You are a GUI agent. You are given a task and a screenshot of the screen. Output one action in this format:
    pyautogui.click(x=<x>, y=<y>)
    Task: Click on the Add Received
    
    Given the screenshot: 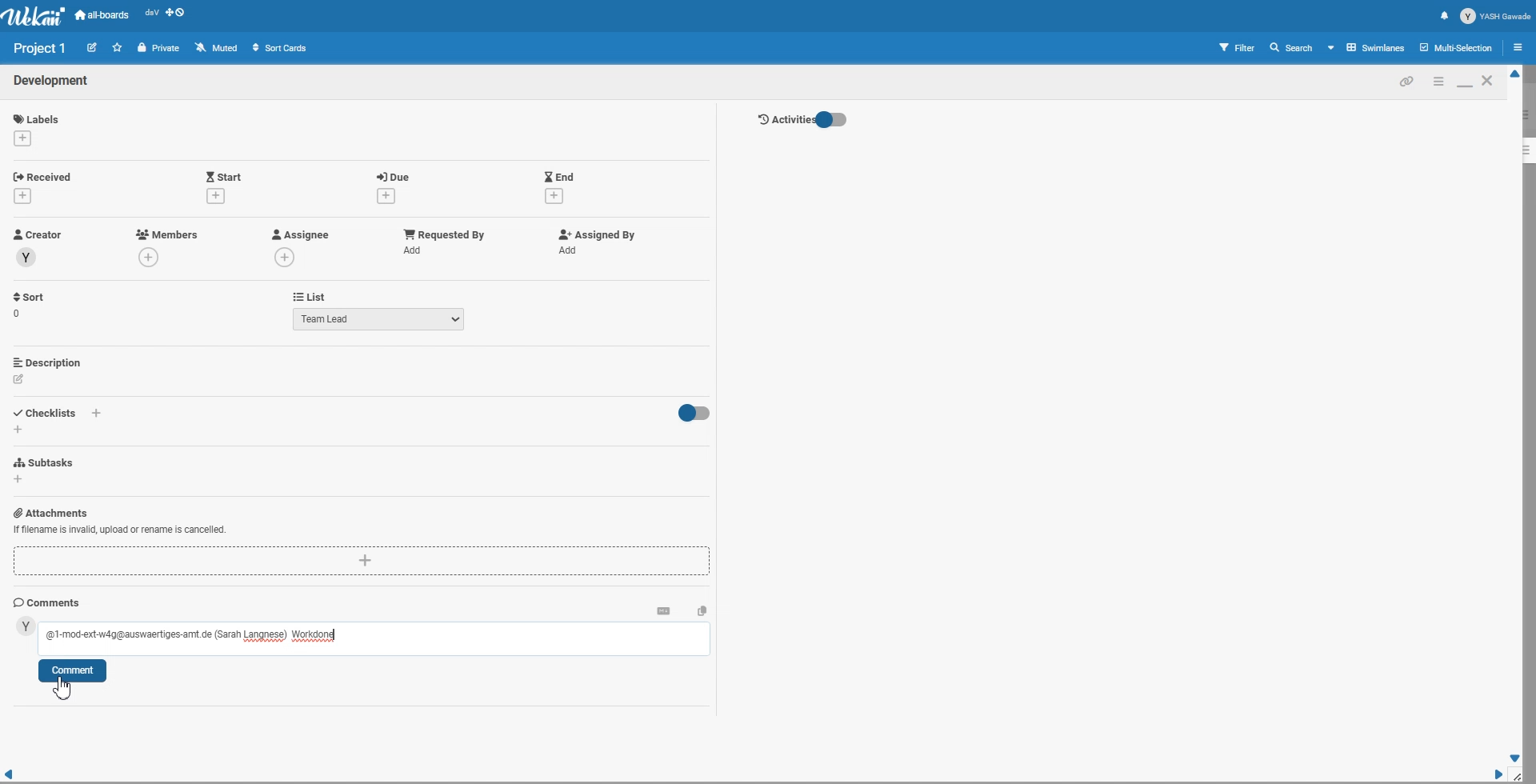 What is the action you would take?
    pyautogui.click(x=46, y=175)
    